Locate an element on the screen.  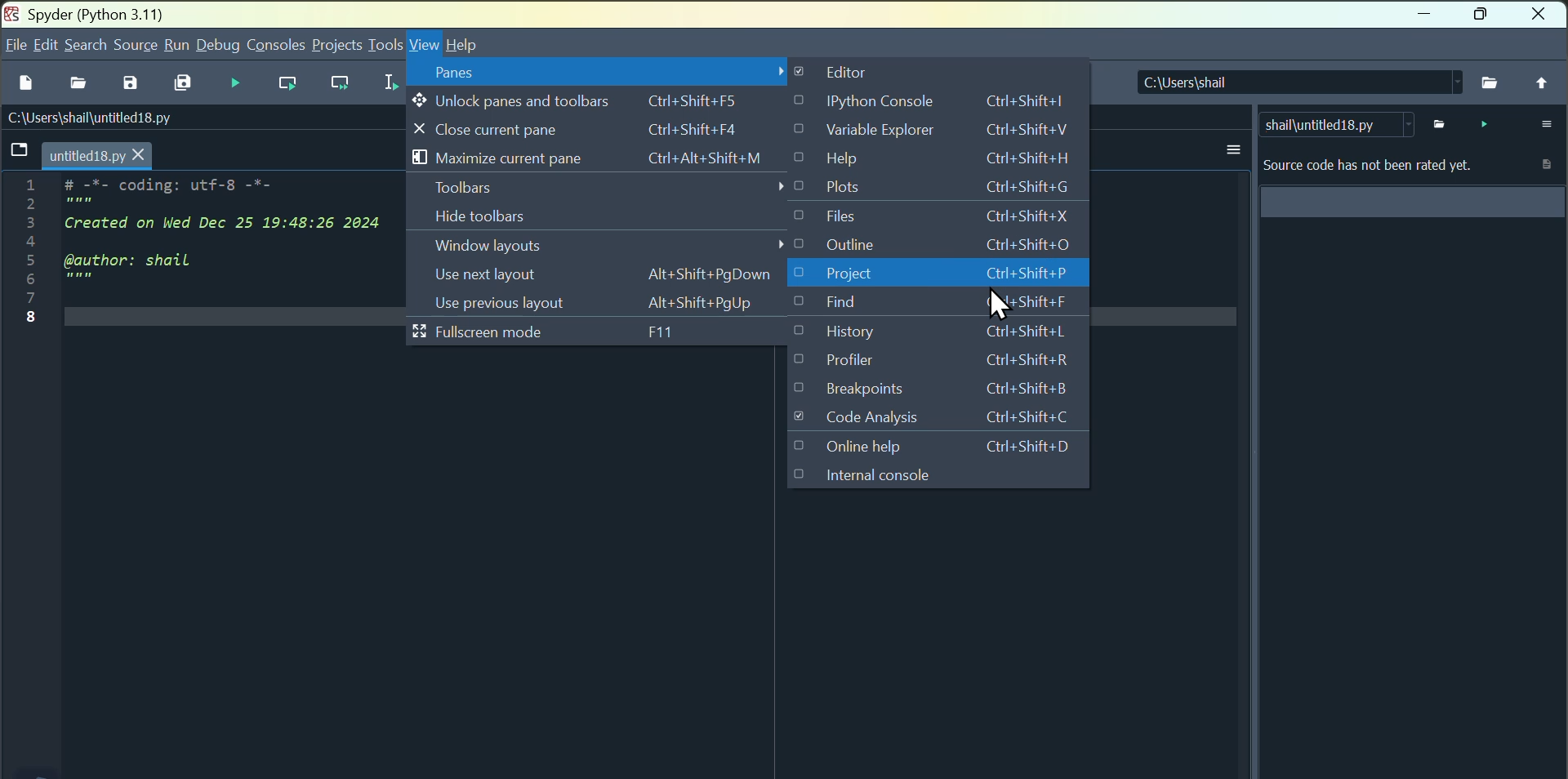
Cursor is located at coordinates (998, 305).